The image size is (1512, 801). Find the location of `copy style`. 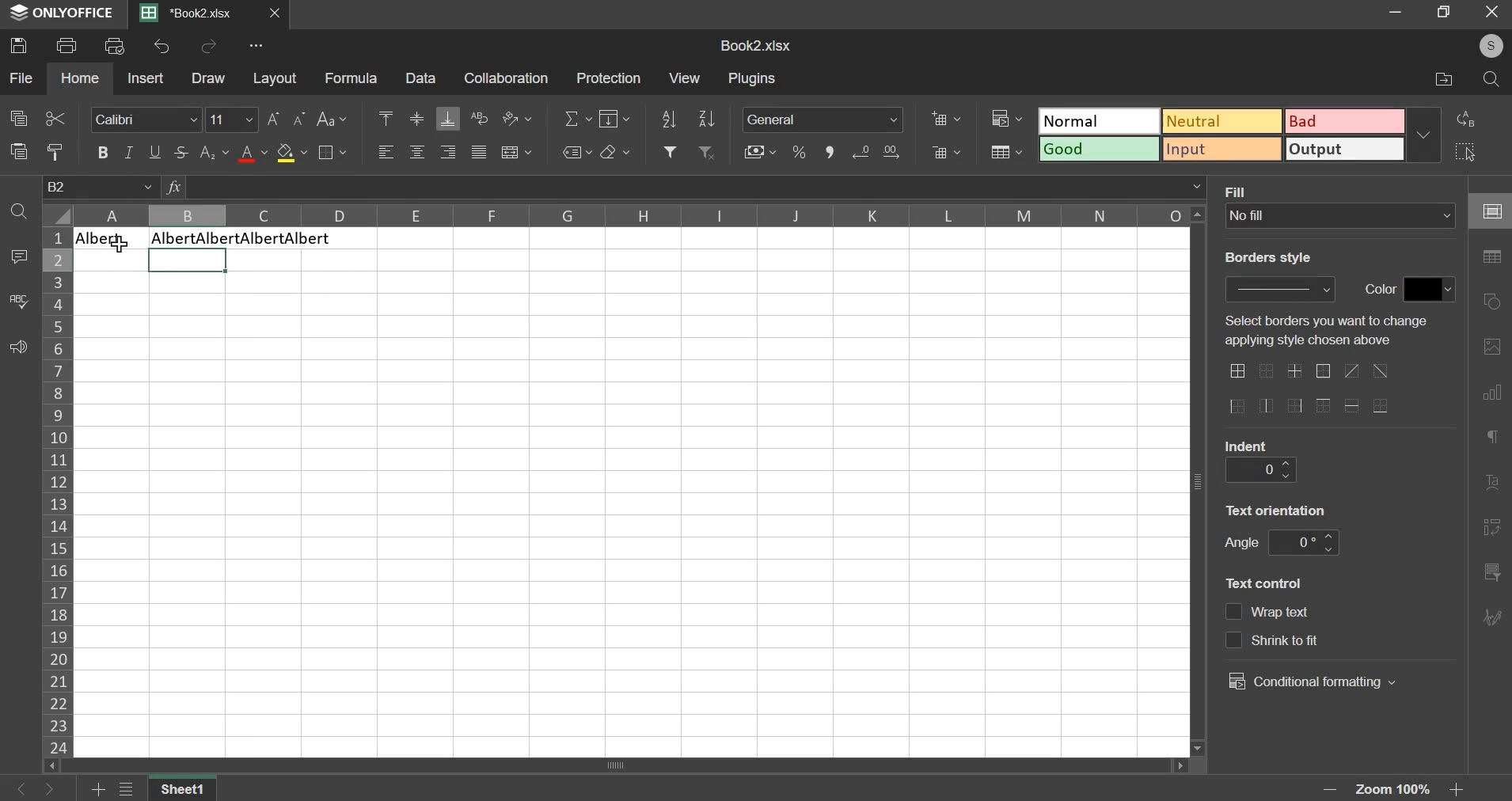

copy style is located at coordinates (54, 151).